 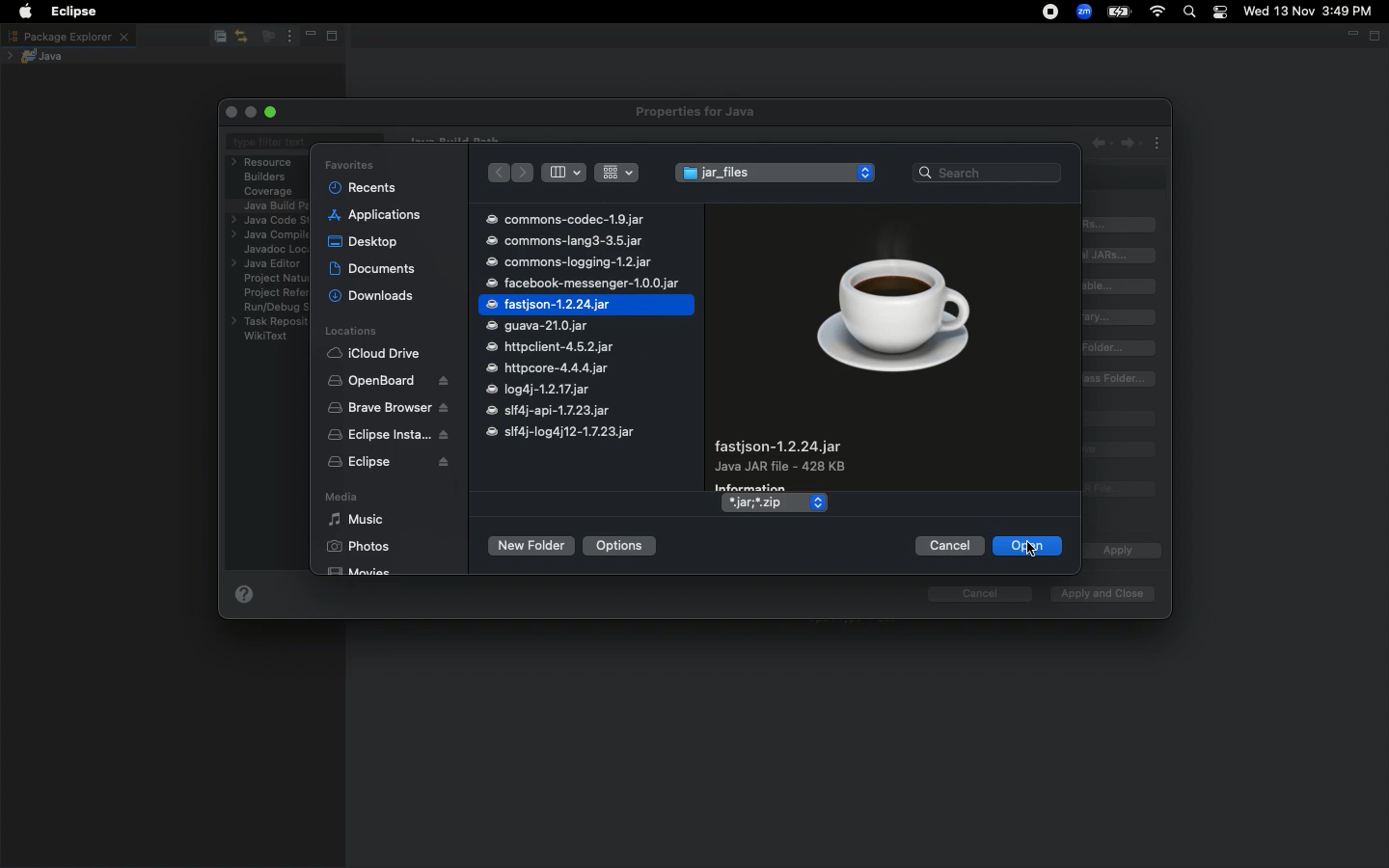 I want to click on Documents, so click(x=374, y=268).